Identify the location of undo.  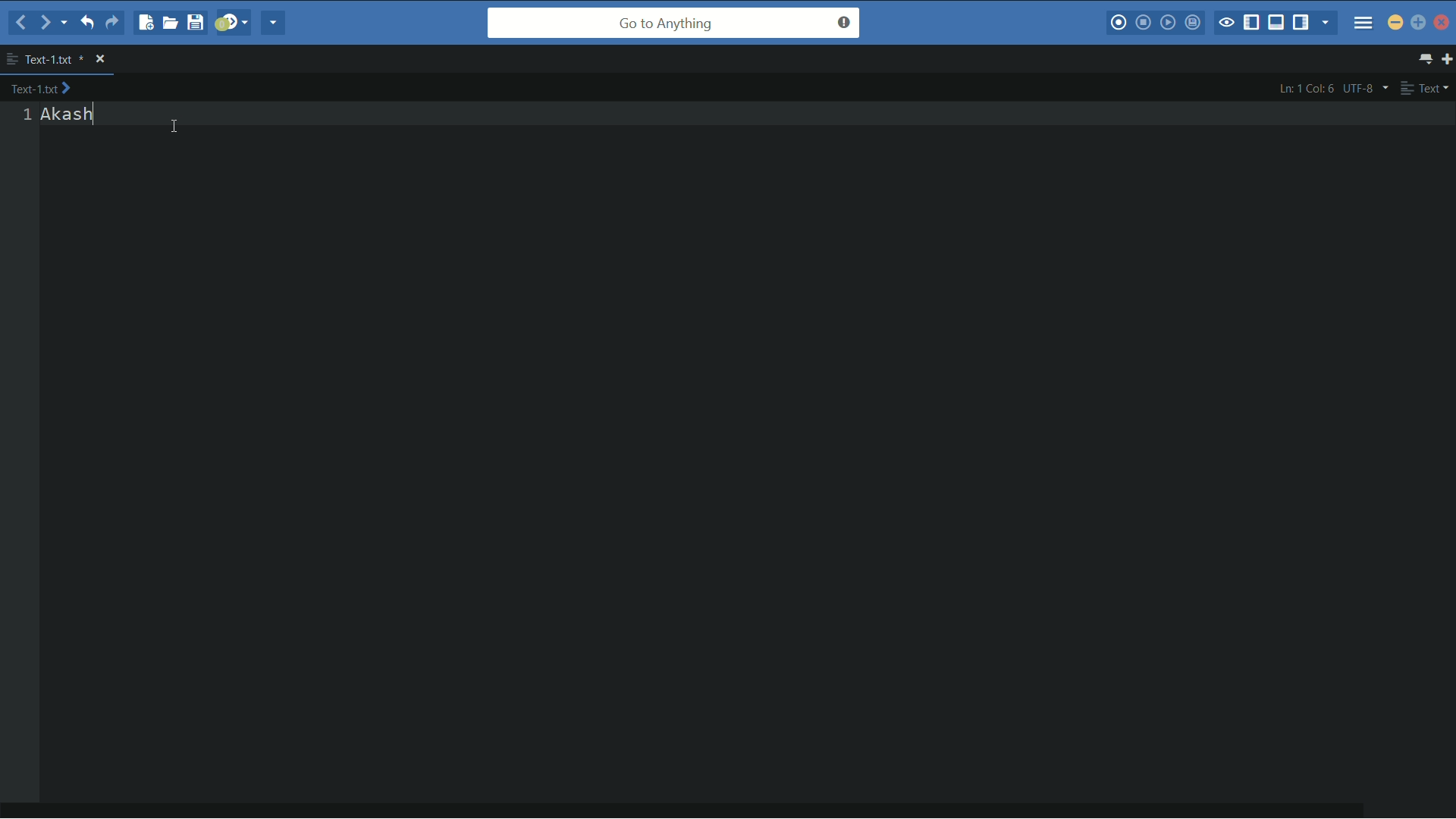
(85, 22).